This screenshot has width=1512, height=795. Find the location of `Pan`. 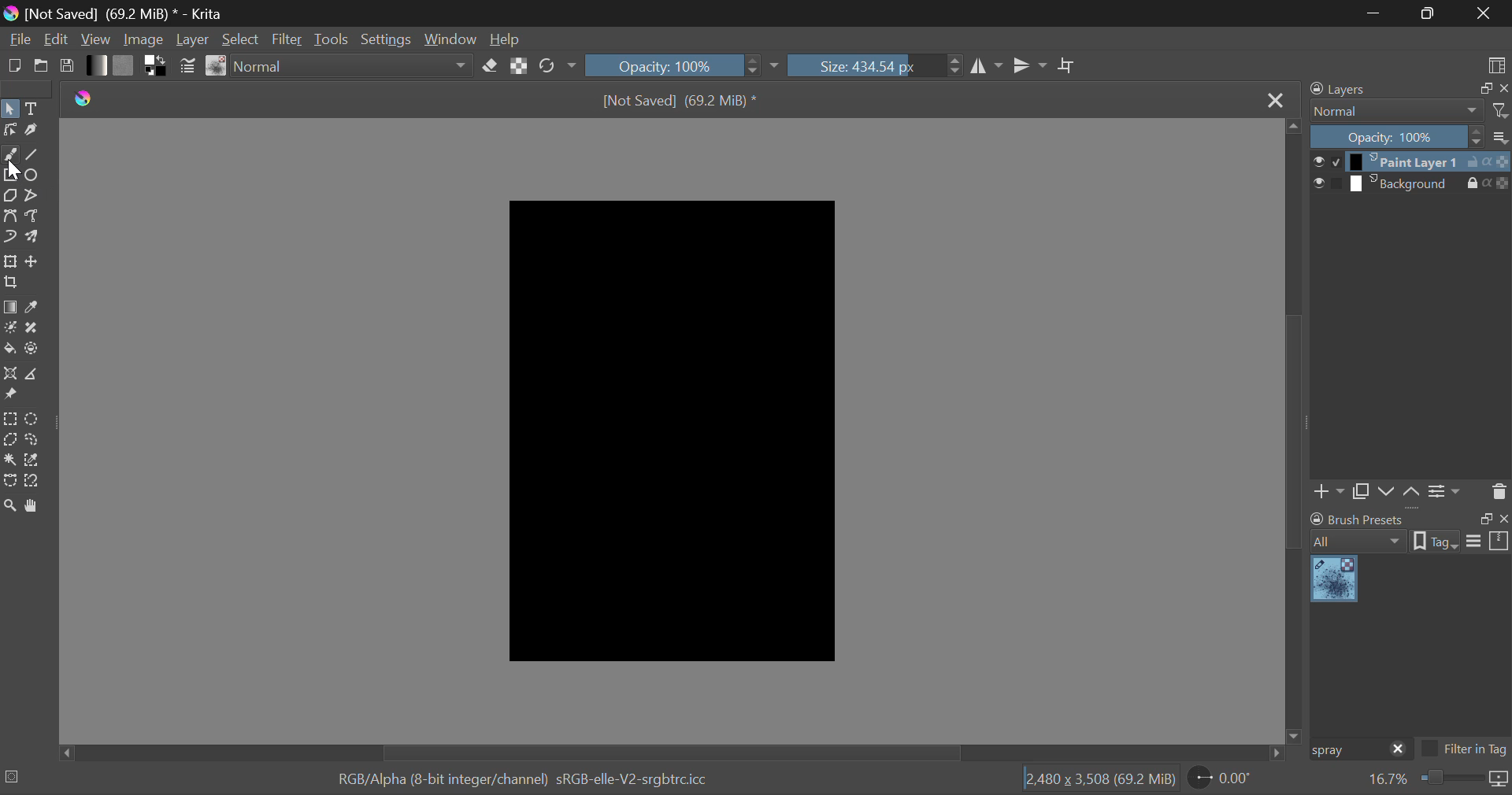

Pan is located at coordinates (35, 507).